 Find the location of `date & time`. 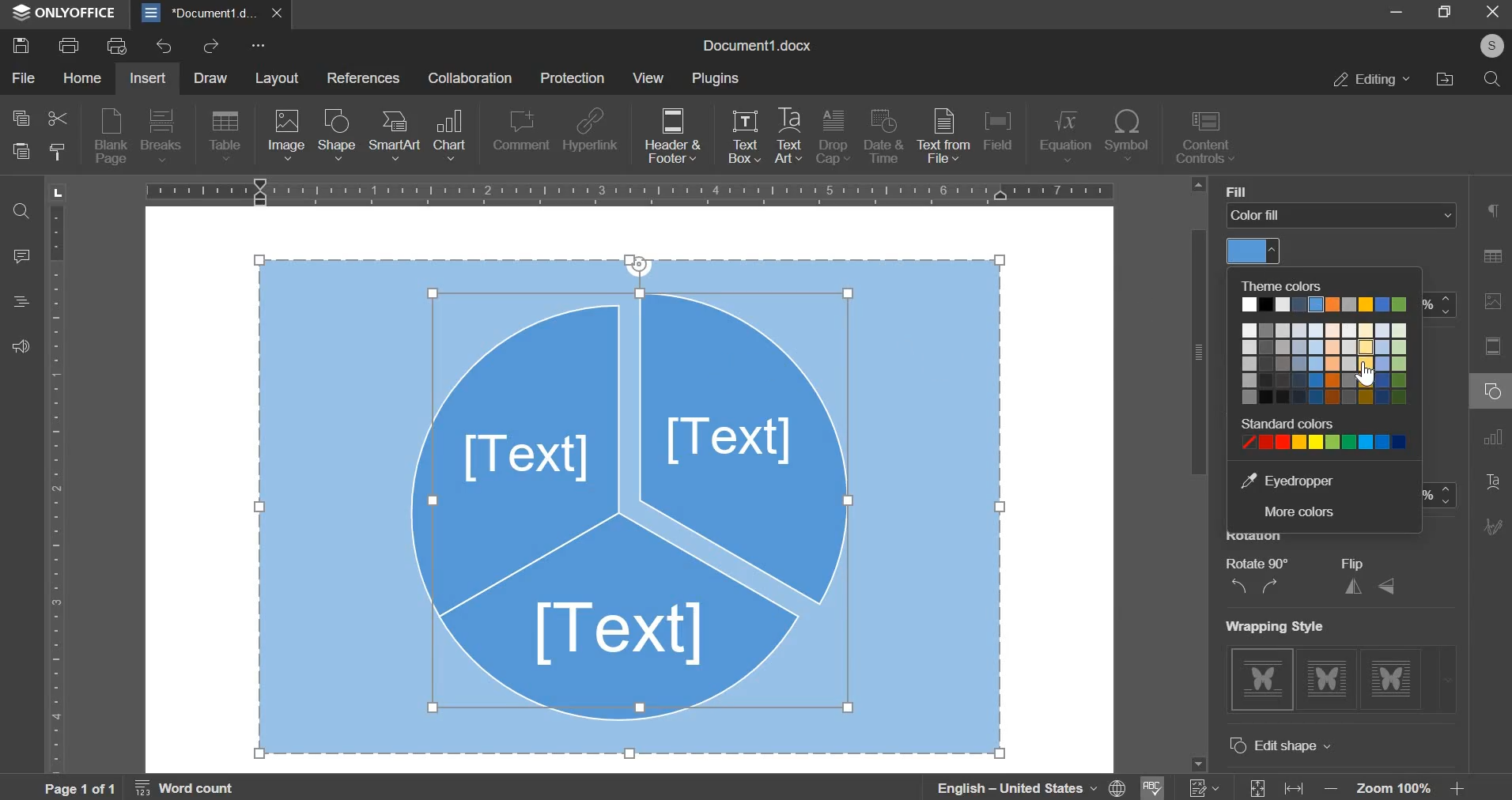

date & time is located at coordinates (883, 135).